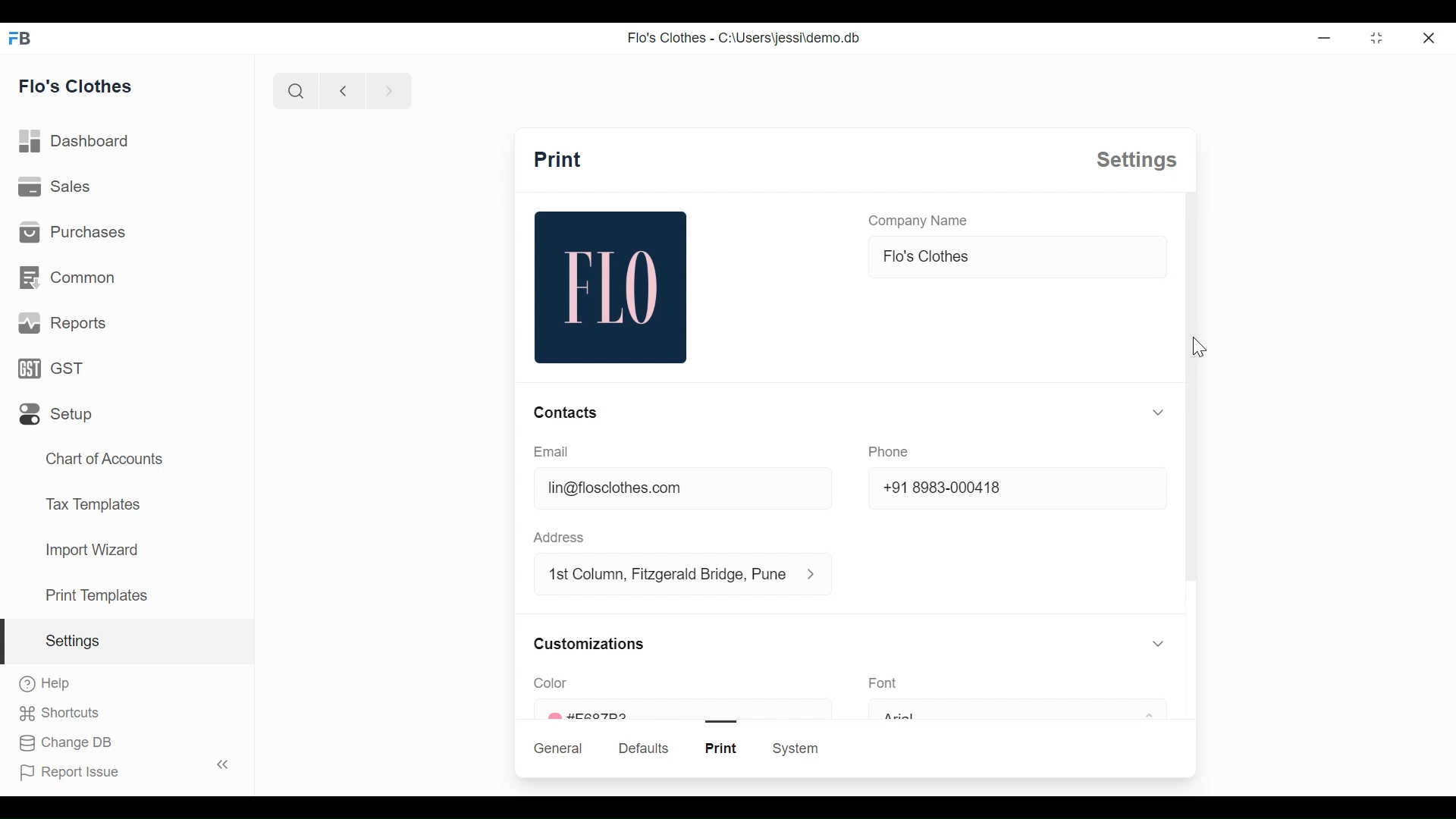  Describe the element at coordinates (684, 488) in the screenshot. I see `lin@floclothes.com` at that location.